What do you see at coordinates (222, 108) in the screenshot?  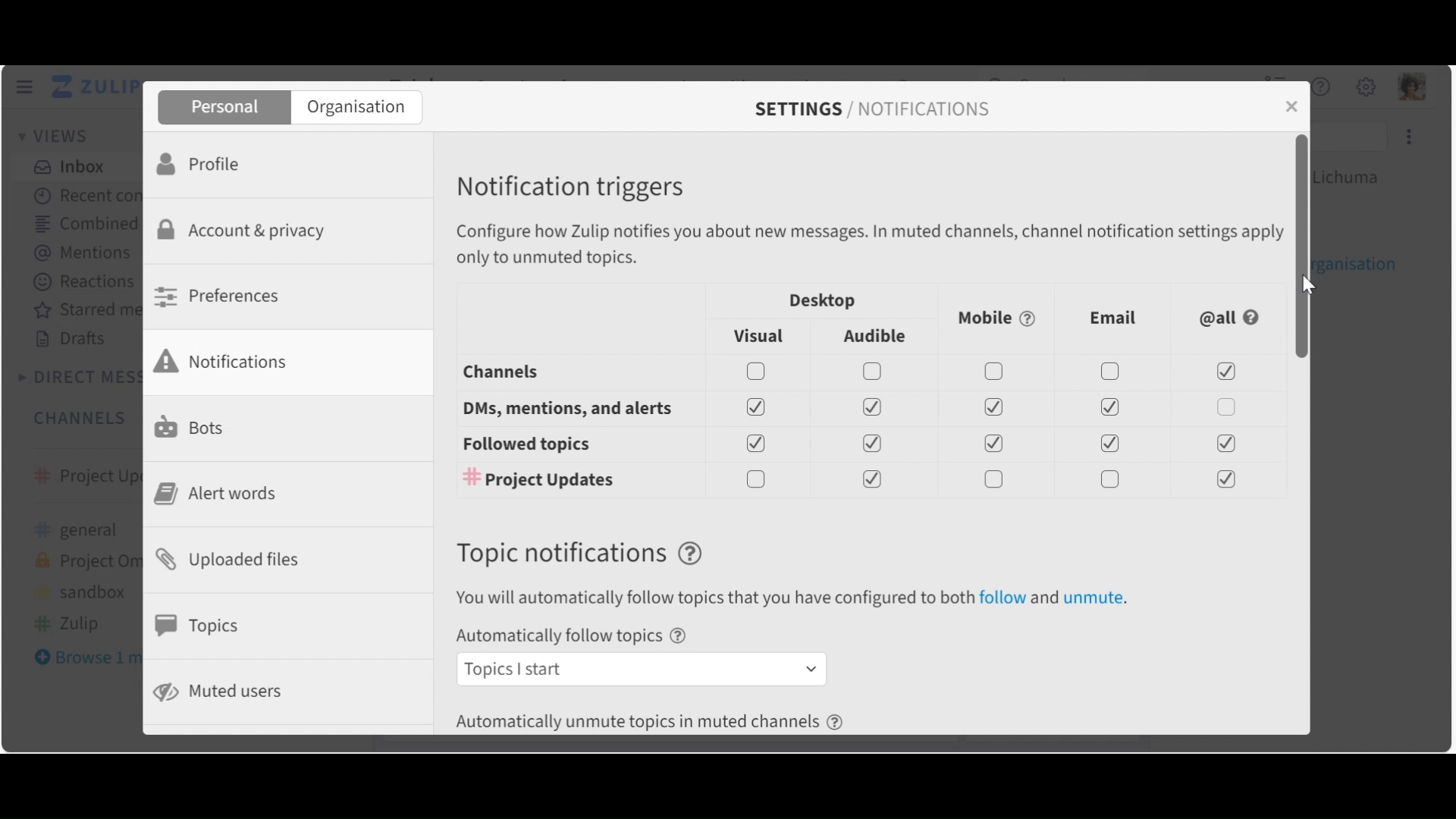 I see `Personal` at bounding box center [222, 108].